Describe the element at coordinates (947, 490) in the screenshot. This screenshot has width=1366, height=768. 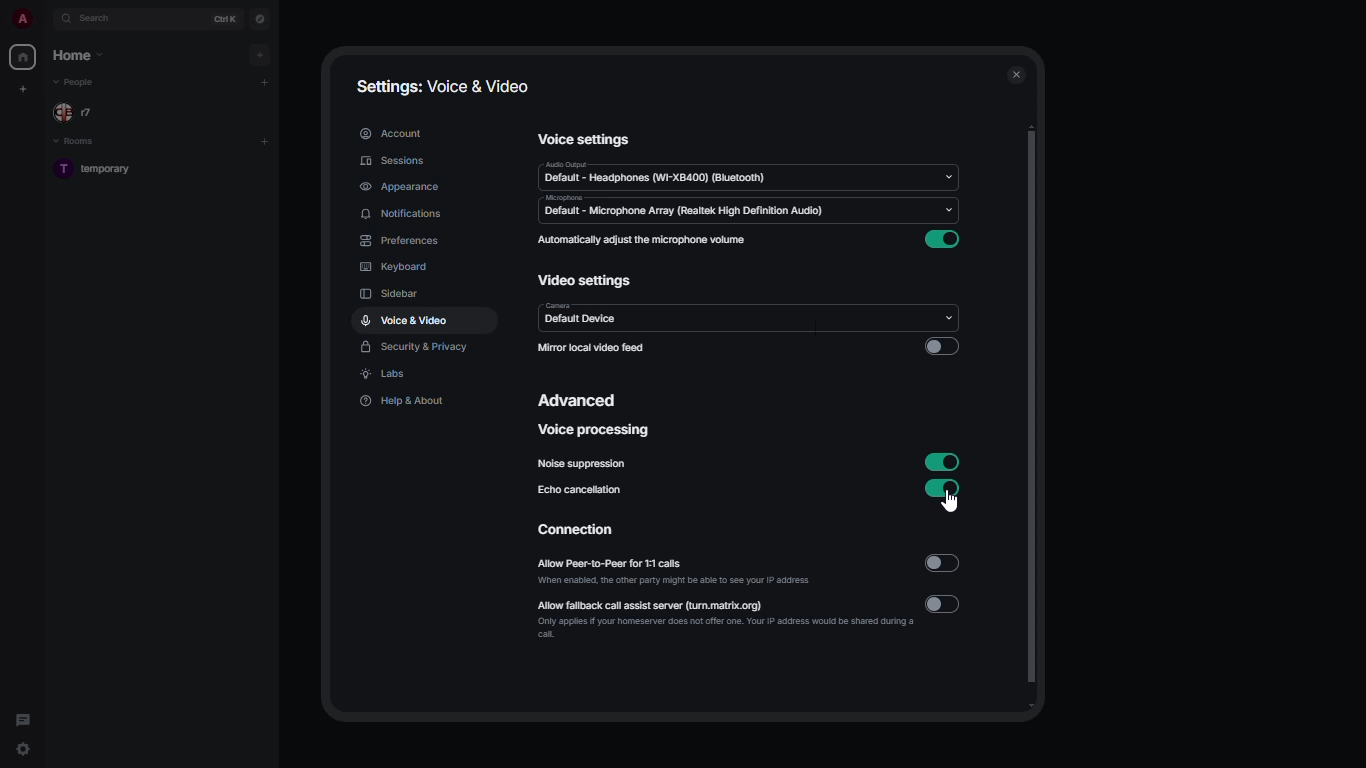
I see `enabled` at that location.